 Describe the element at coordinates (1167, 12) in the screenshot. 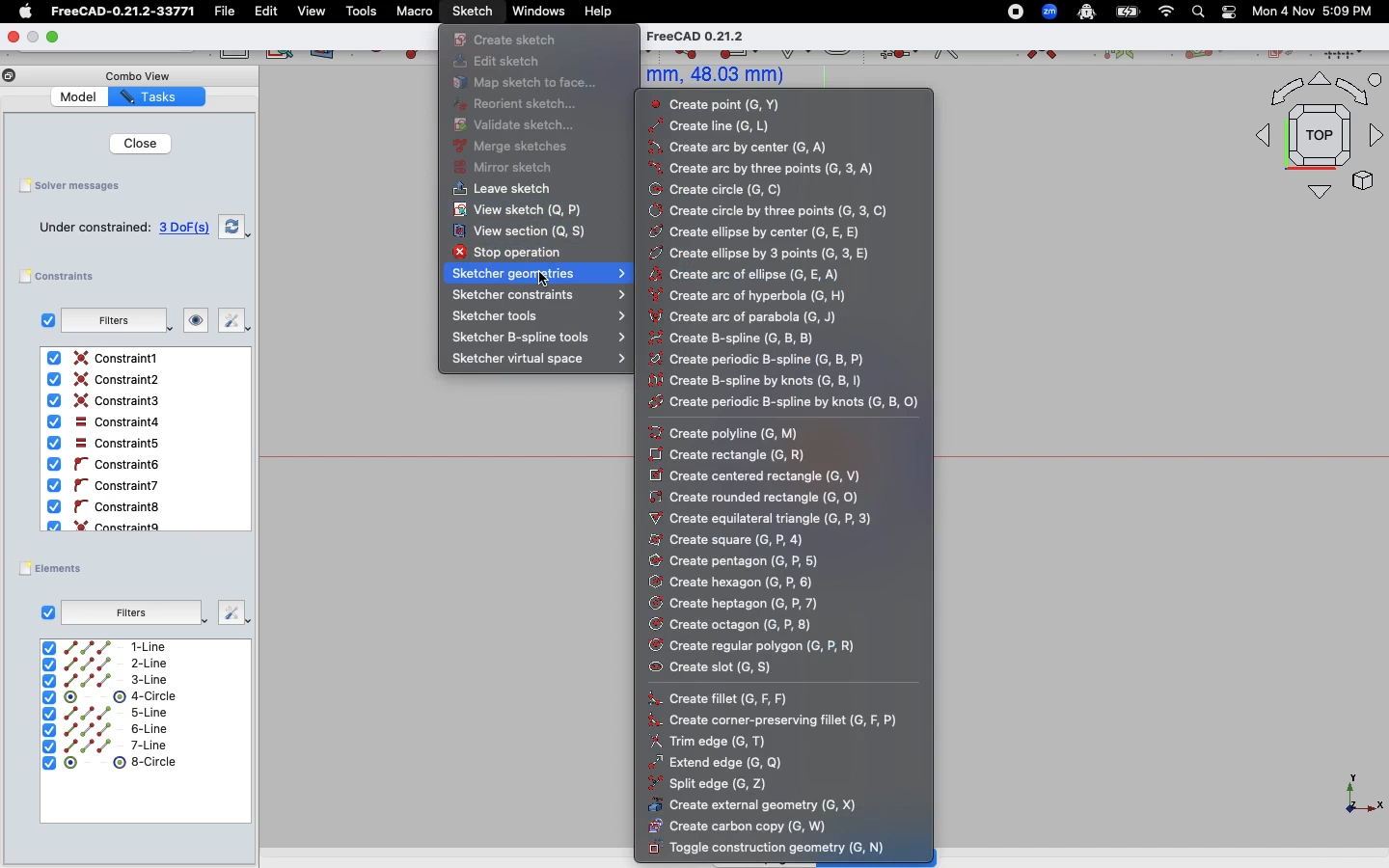

I see `Network` at that location.